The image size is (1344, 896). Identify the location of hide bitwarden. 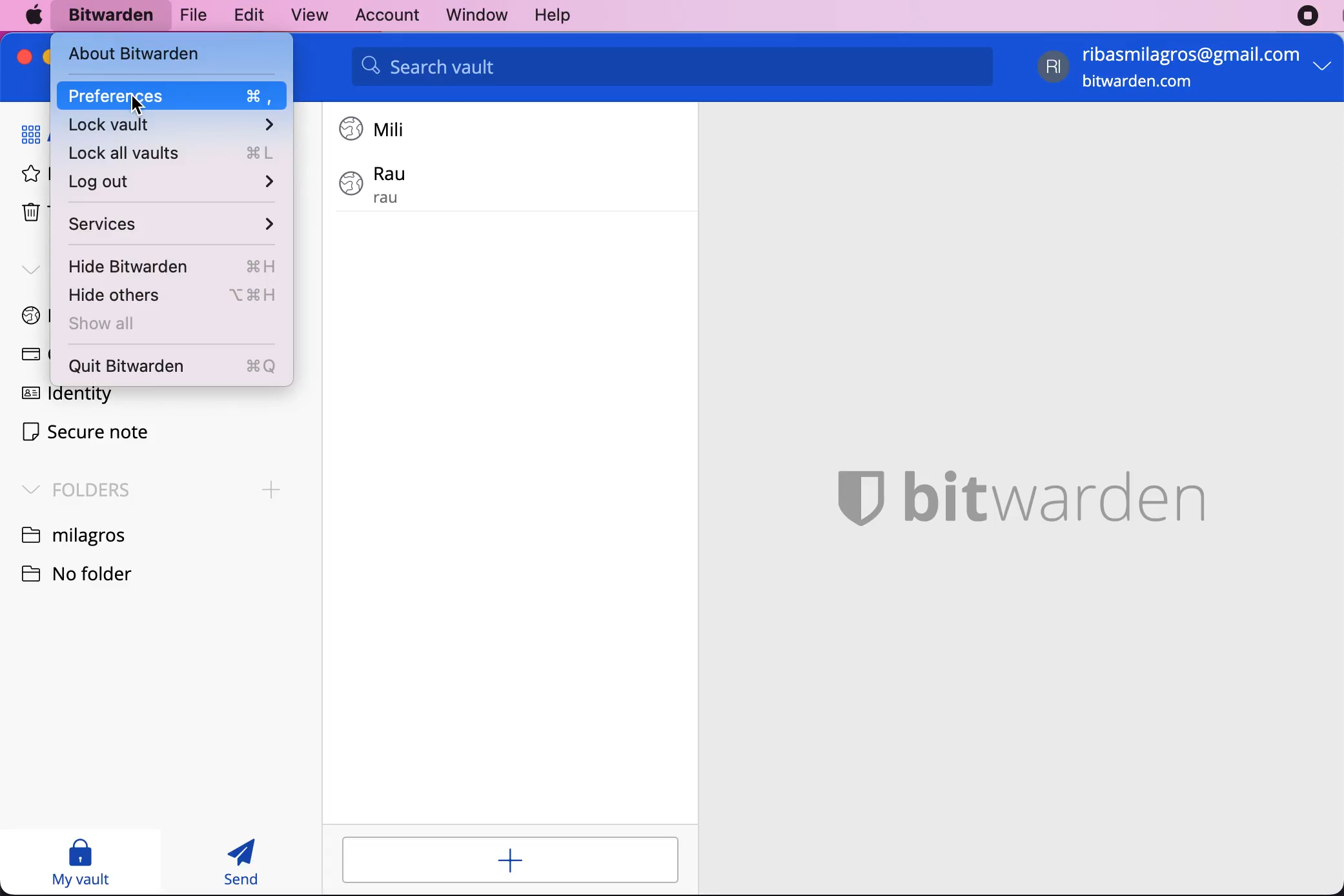
(172, 265).